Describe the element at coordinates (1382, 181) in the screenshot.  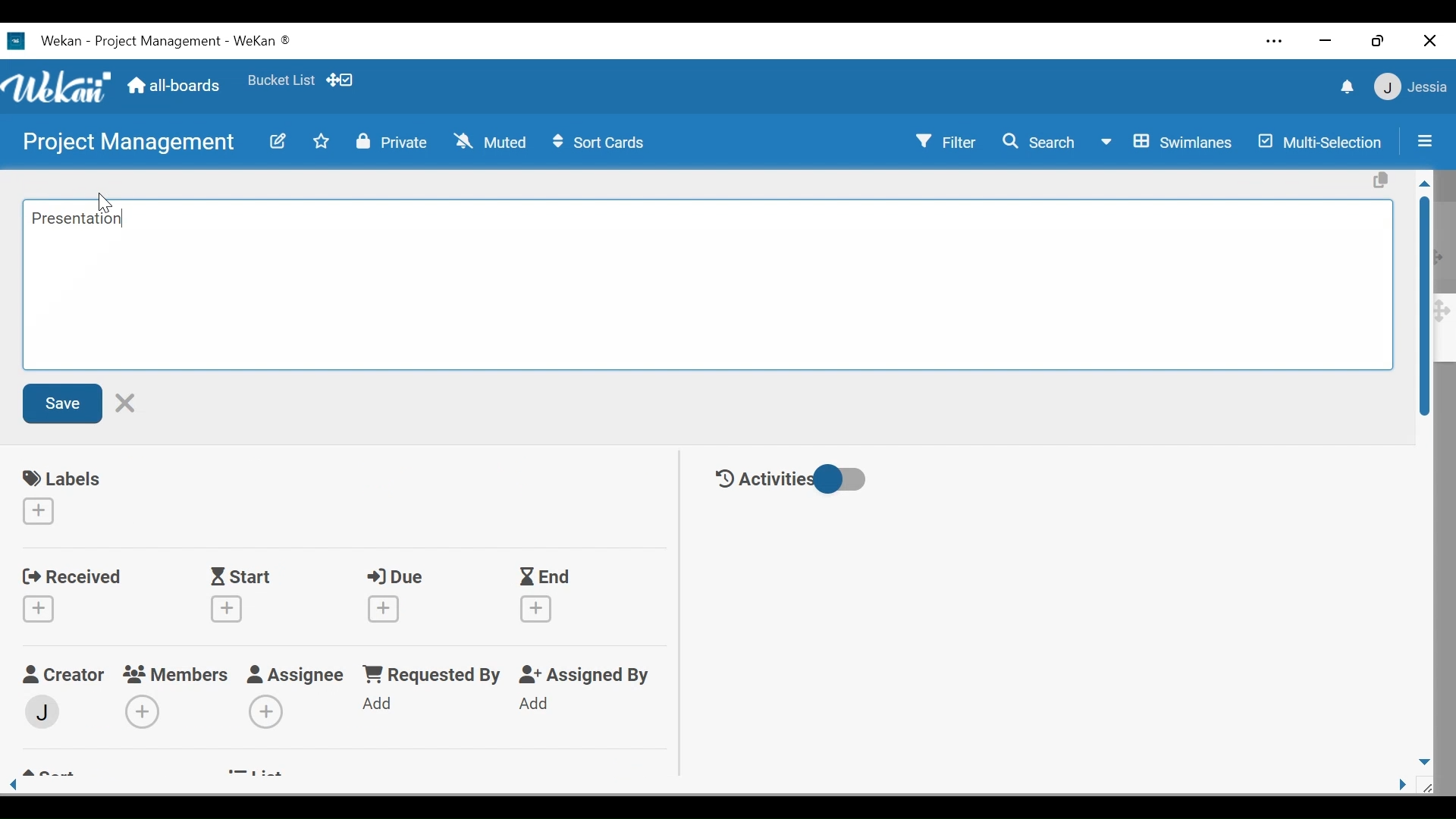
I see `Copy` at that location.